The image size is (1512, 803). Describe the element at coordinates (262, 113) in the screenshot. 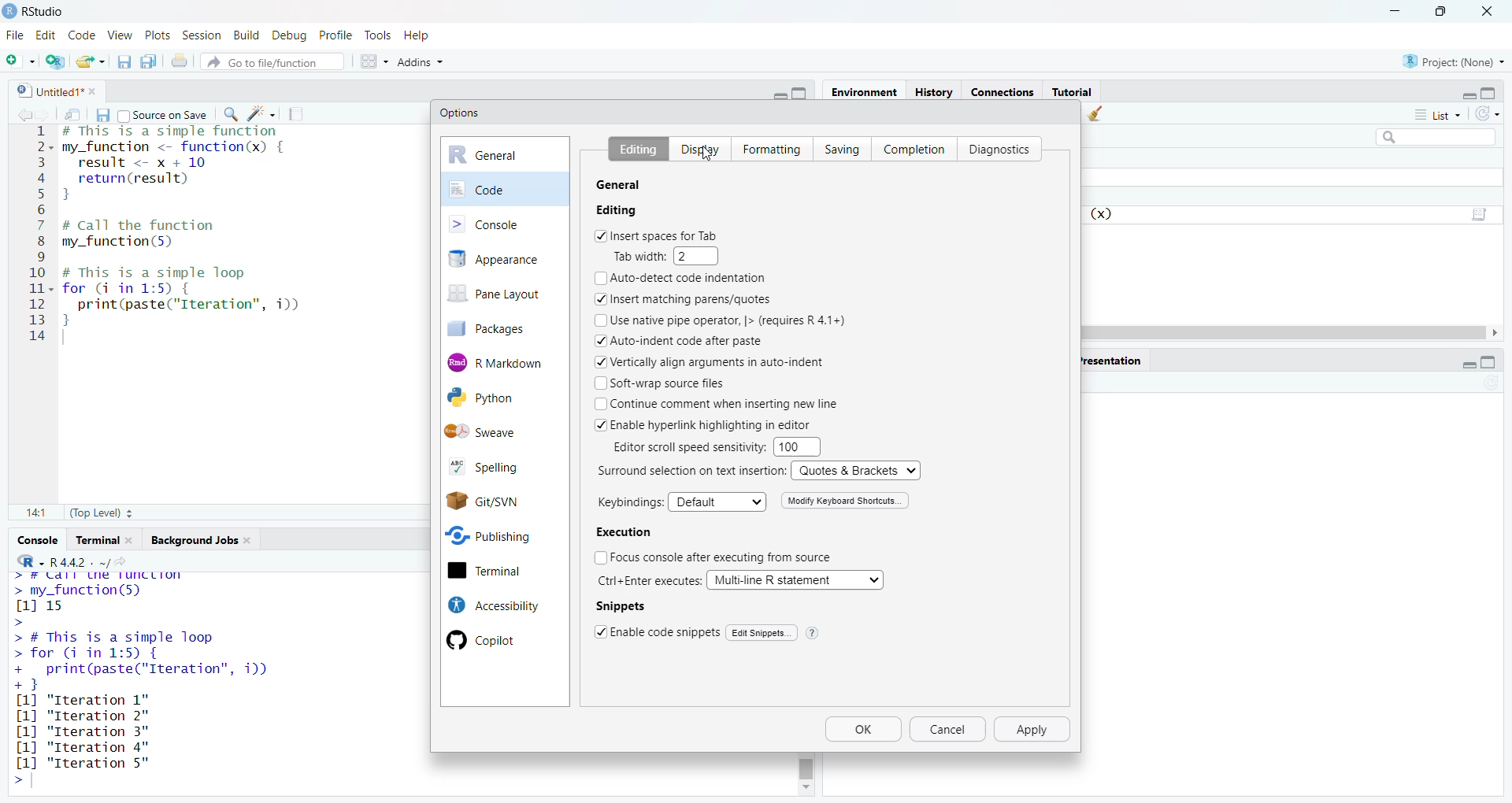

I see `code tools` at that location.